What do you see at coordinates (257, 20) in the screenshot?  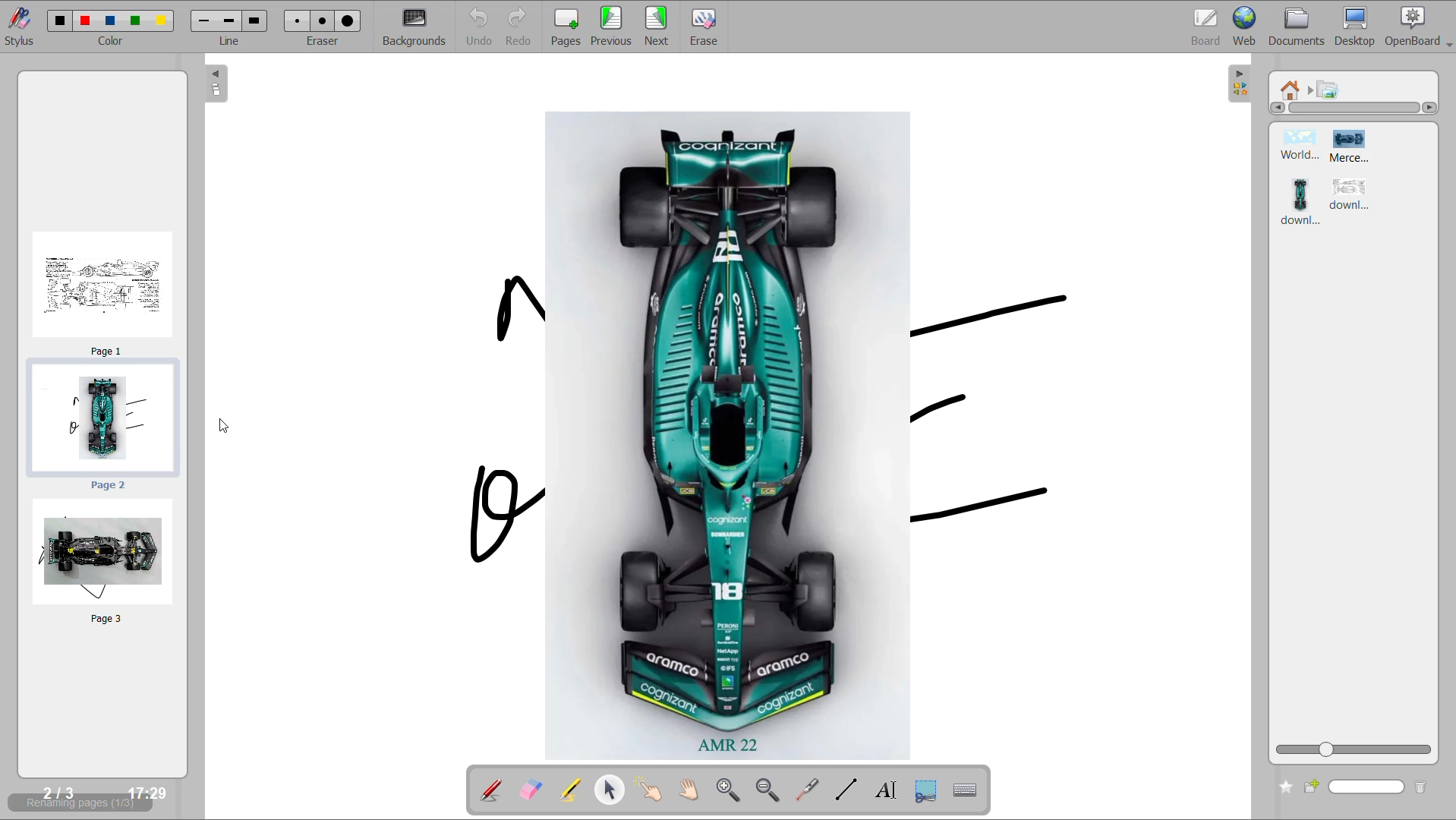 I see `Large line` at bounding box center [257, 20].